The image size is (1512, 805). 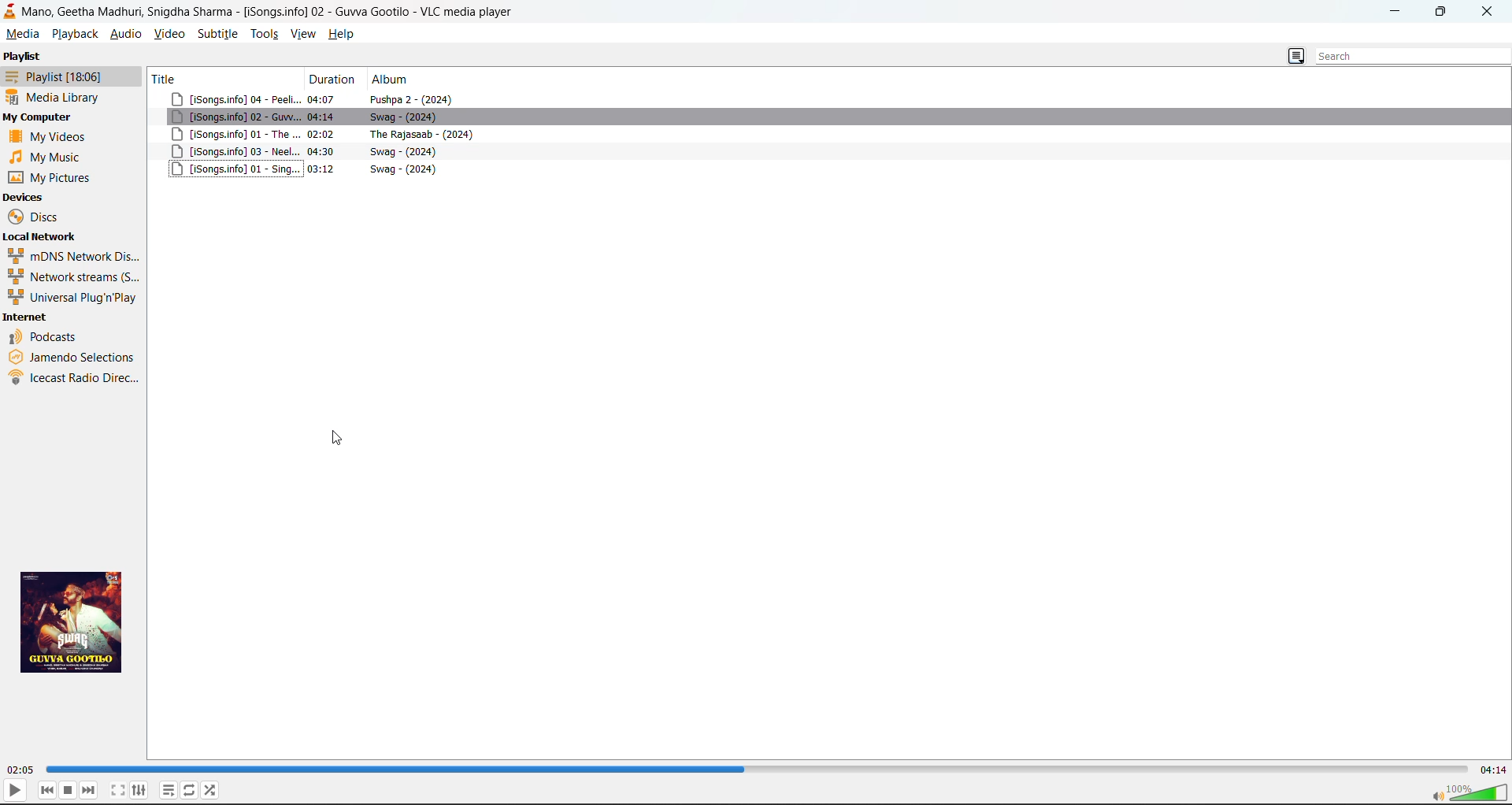 I want to click on cursor, so click(x=339, y=436).